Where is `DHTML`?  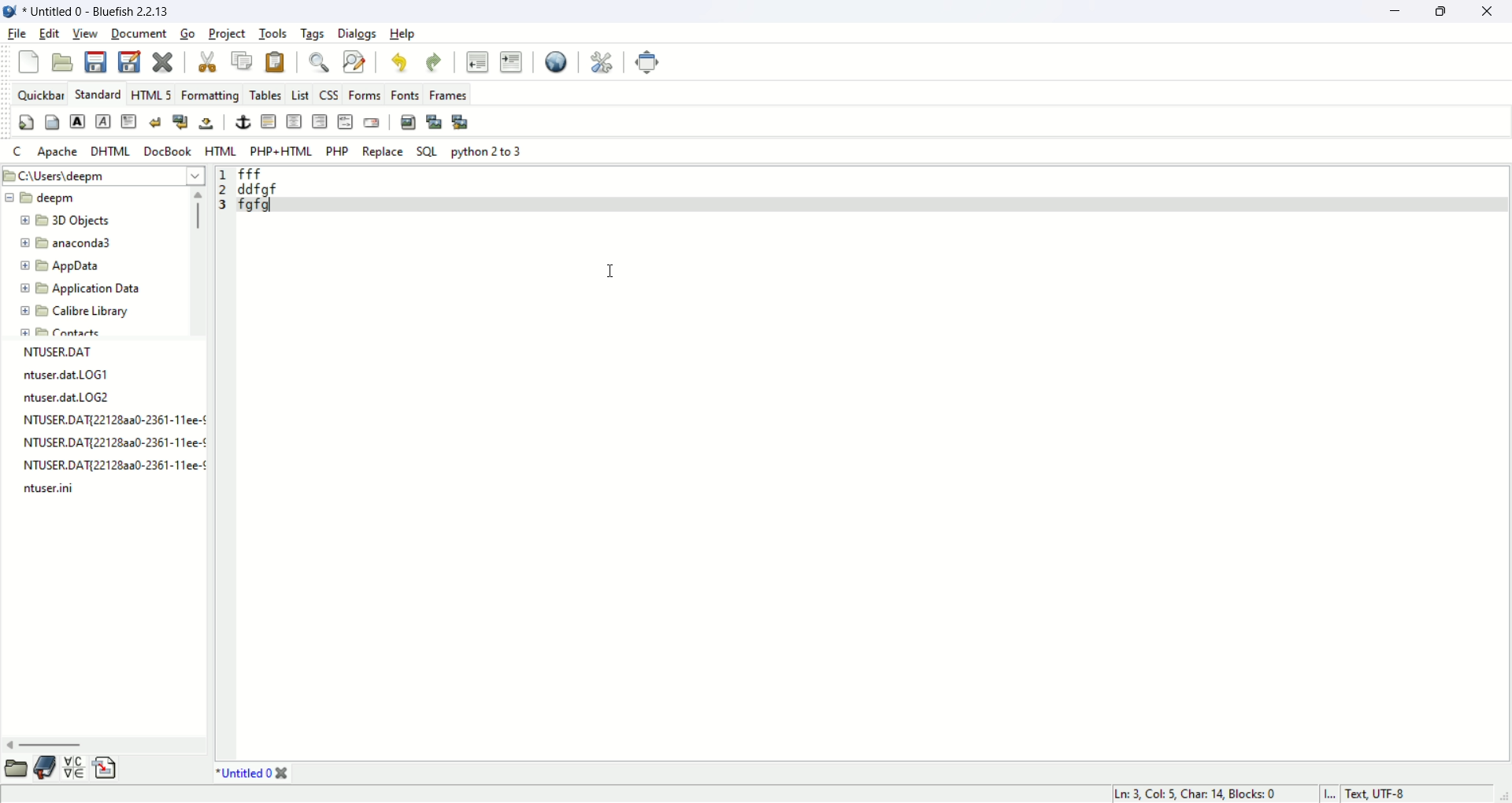
DHTML is located at coordinates (109, 150).